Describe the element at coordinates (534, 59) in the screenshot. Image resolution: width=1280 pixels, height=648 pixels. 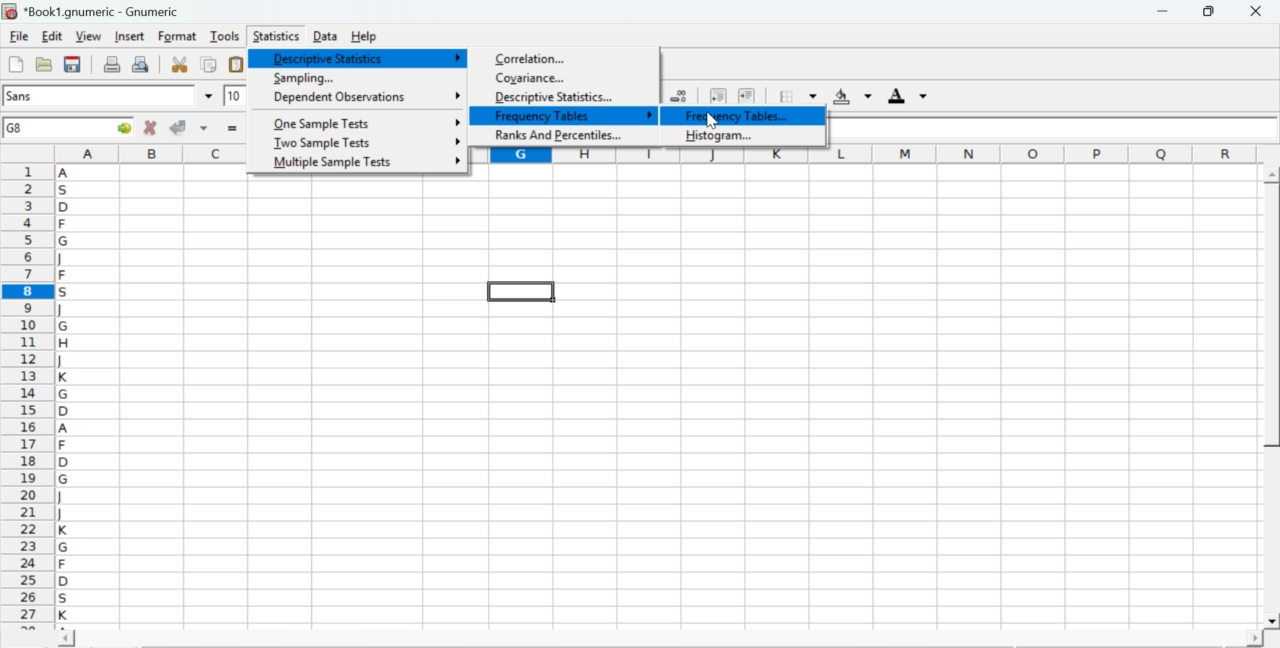
I see `correlation...` at that location.